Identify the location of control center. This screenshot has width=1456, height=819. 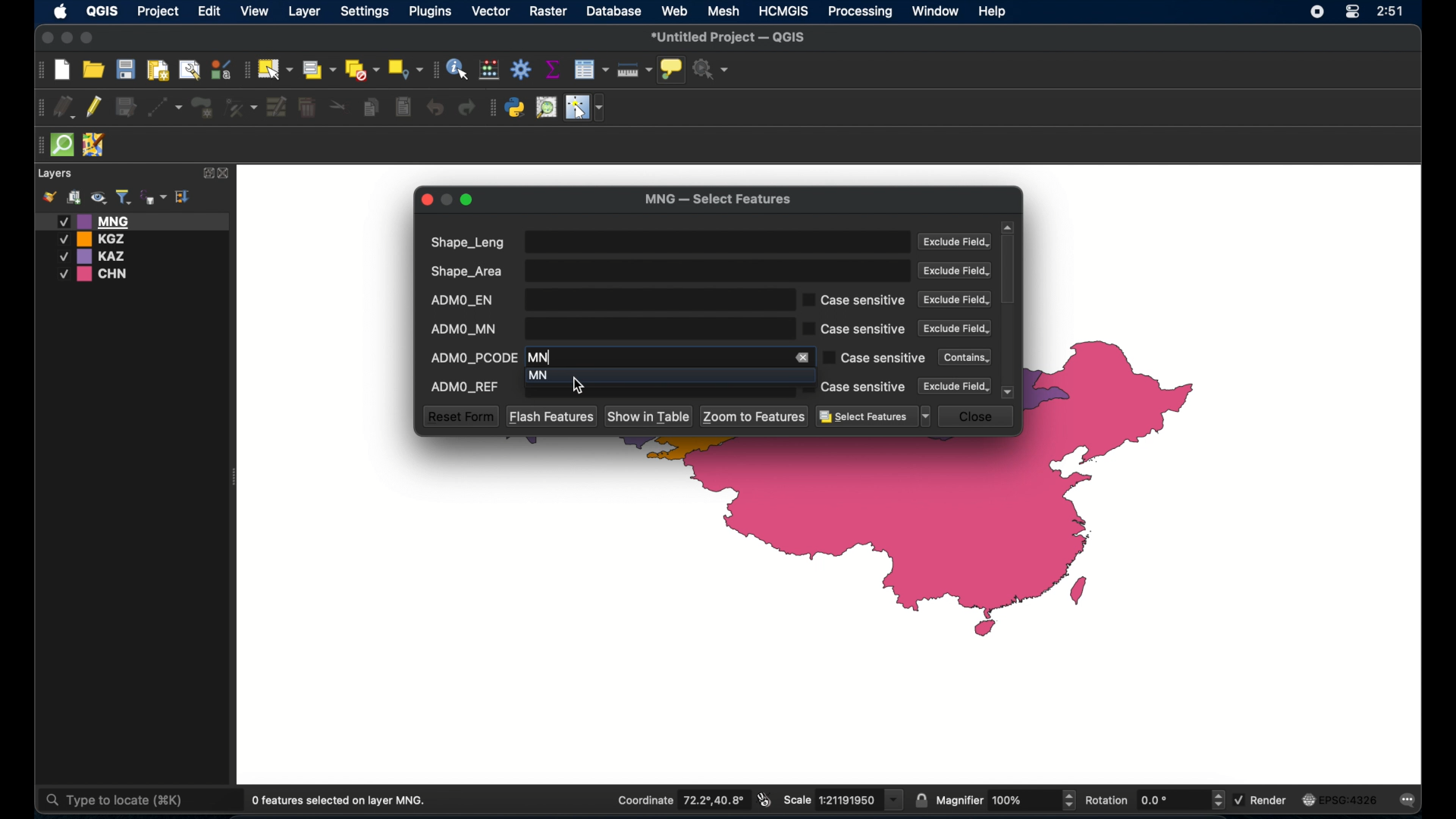
(1351, 13).